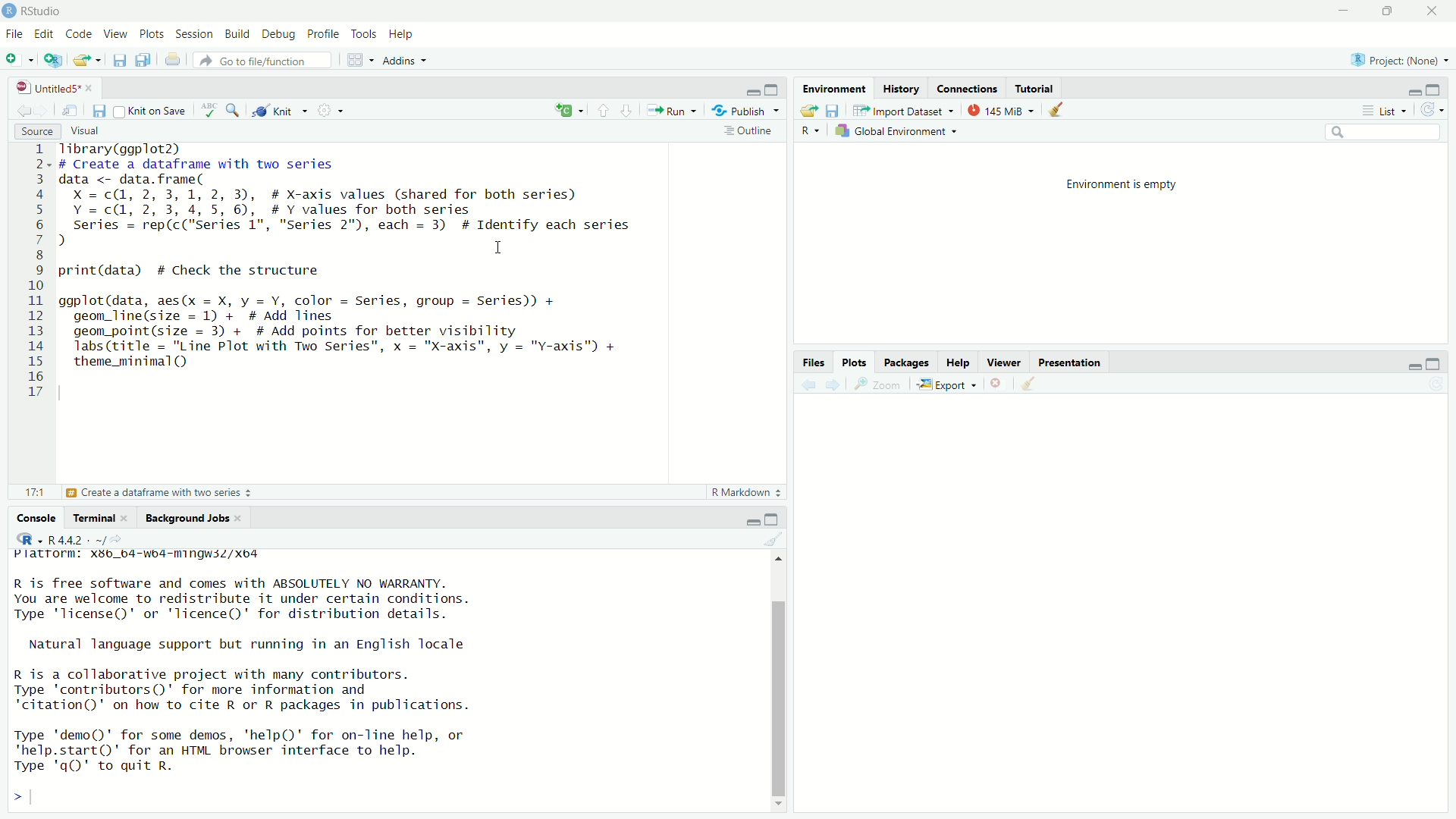  Describe the element at coordinates (905, 362) in the screenshot. I see `Pacakges` at that location.